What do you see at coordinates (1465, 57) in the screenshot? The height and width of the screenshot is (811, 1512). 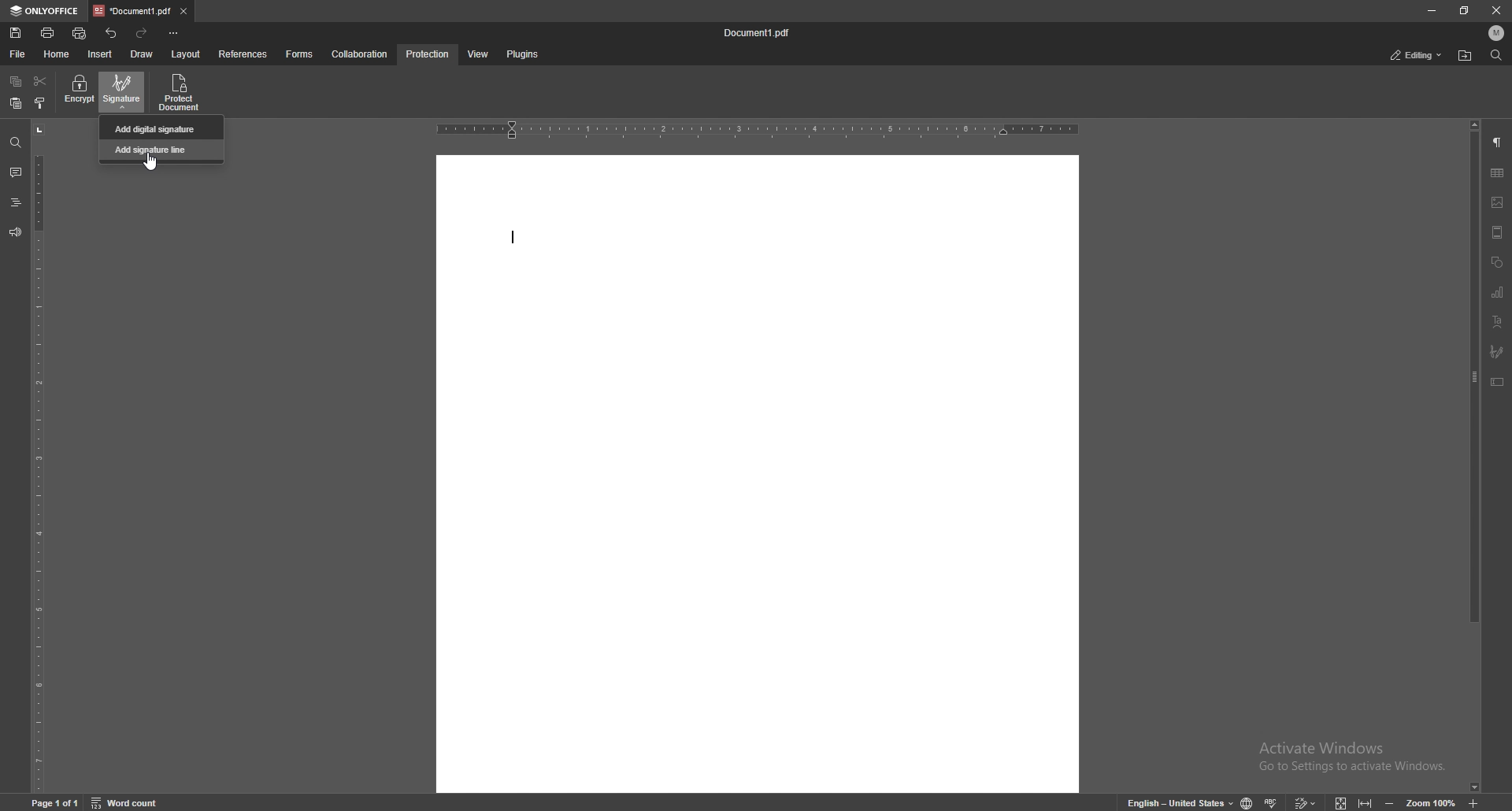 I see `locate file` at bounding box center [1465, 57].